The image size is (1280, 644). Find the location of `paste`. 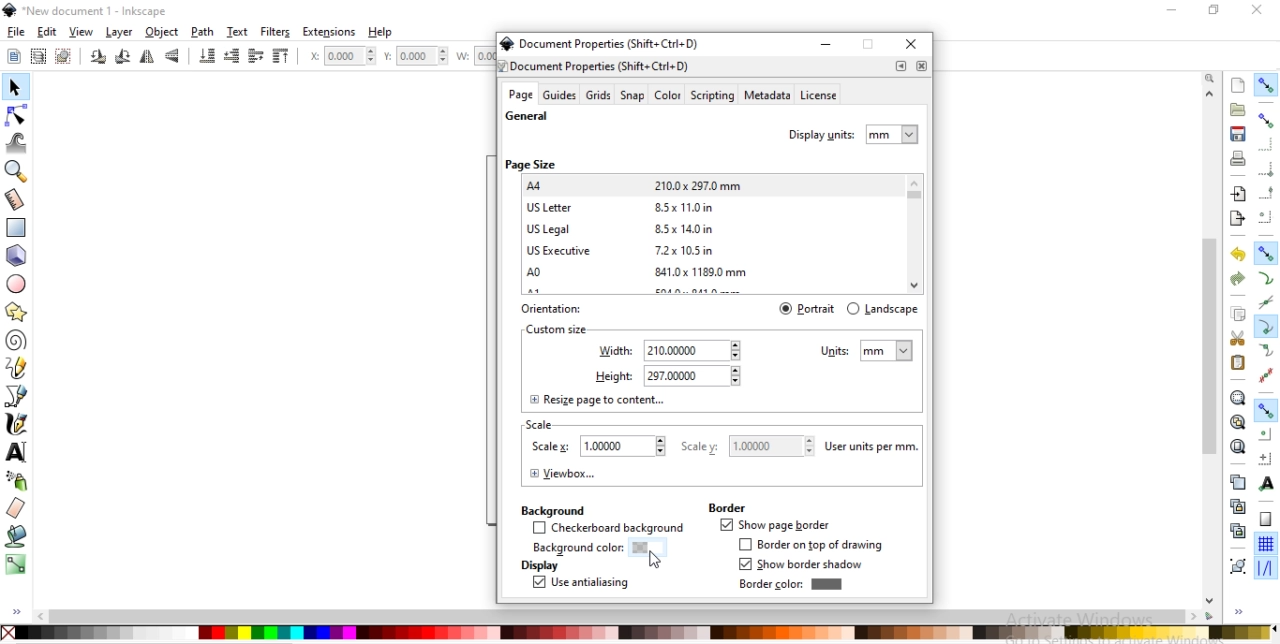

paste is located at coordinates (1238, 363).